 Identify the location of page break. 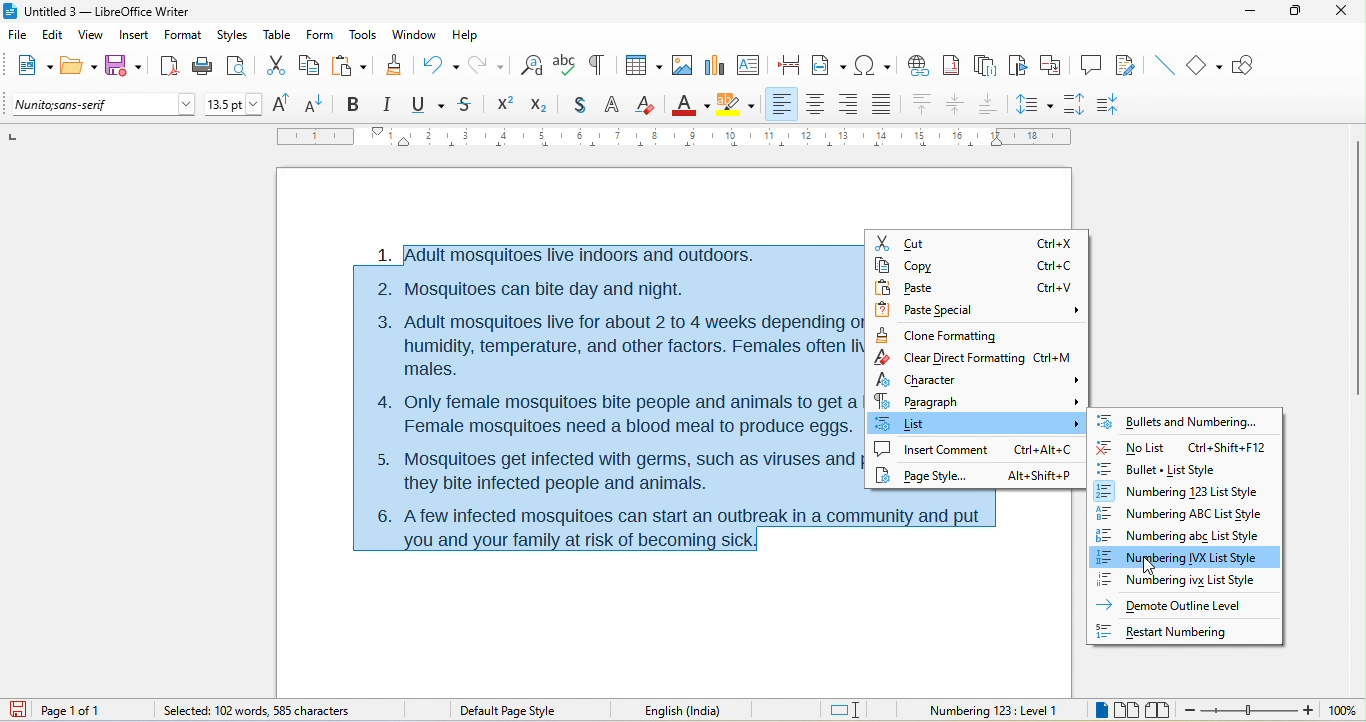
(792, 67).